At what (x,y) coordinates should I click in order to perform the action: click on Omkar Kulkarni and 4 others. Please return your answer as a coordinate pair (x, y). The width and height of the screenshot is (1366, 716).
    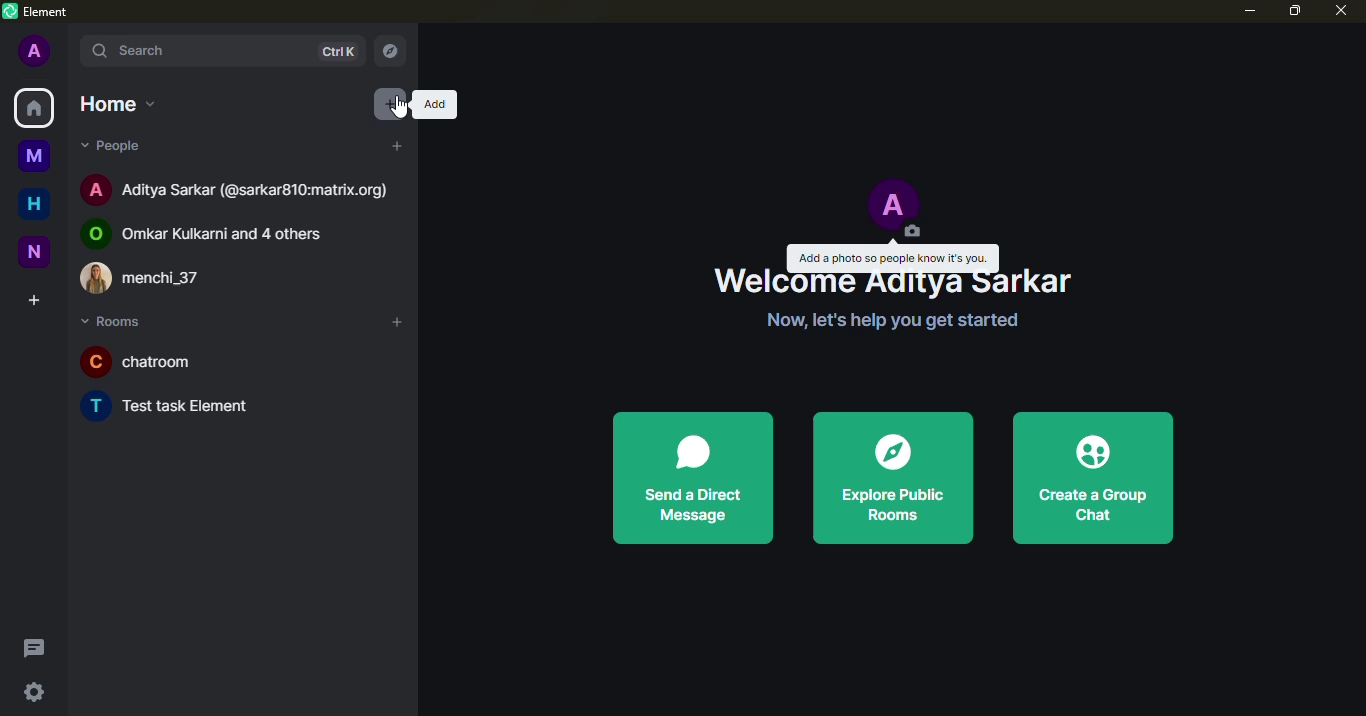
    Looking at the image, I should click on (205, 234).